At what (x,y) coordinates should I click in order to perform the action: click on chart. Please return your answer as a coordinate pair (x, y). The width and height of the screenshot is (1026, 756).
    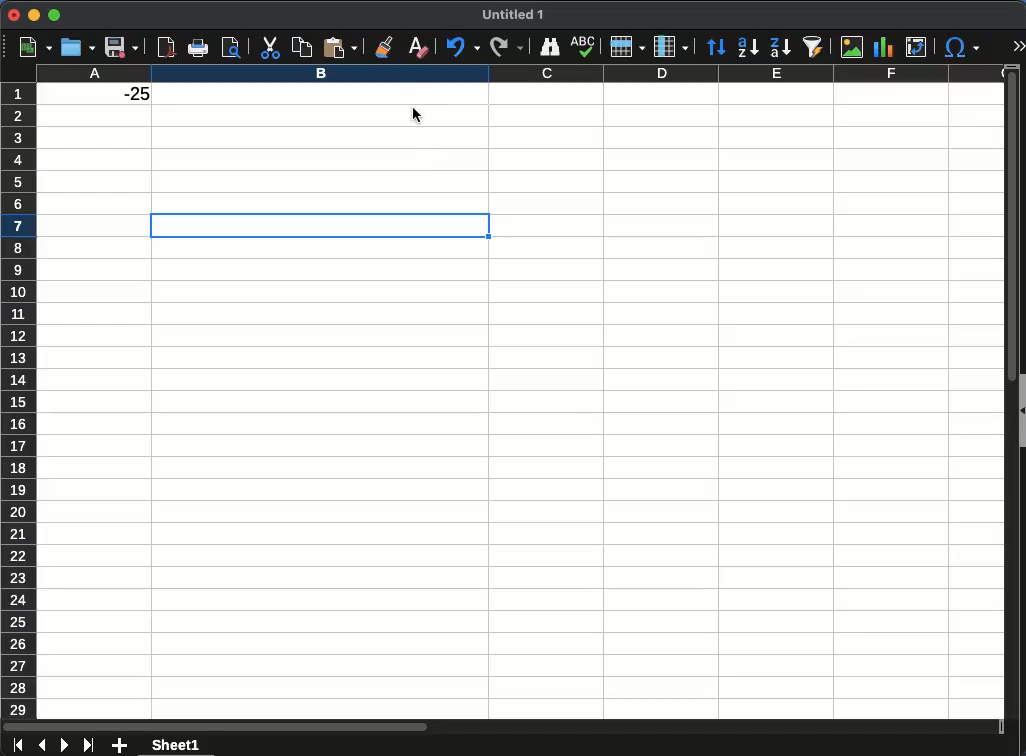
    Looking at the image, I should click on (882, 45).